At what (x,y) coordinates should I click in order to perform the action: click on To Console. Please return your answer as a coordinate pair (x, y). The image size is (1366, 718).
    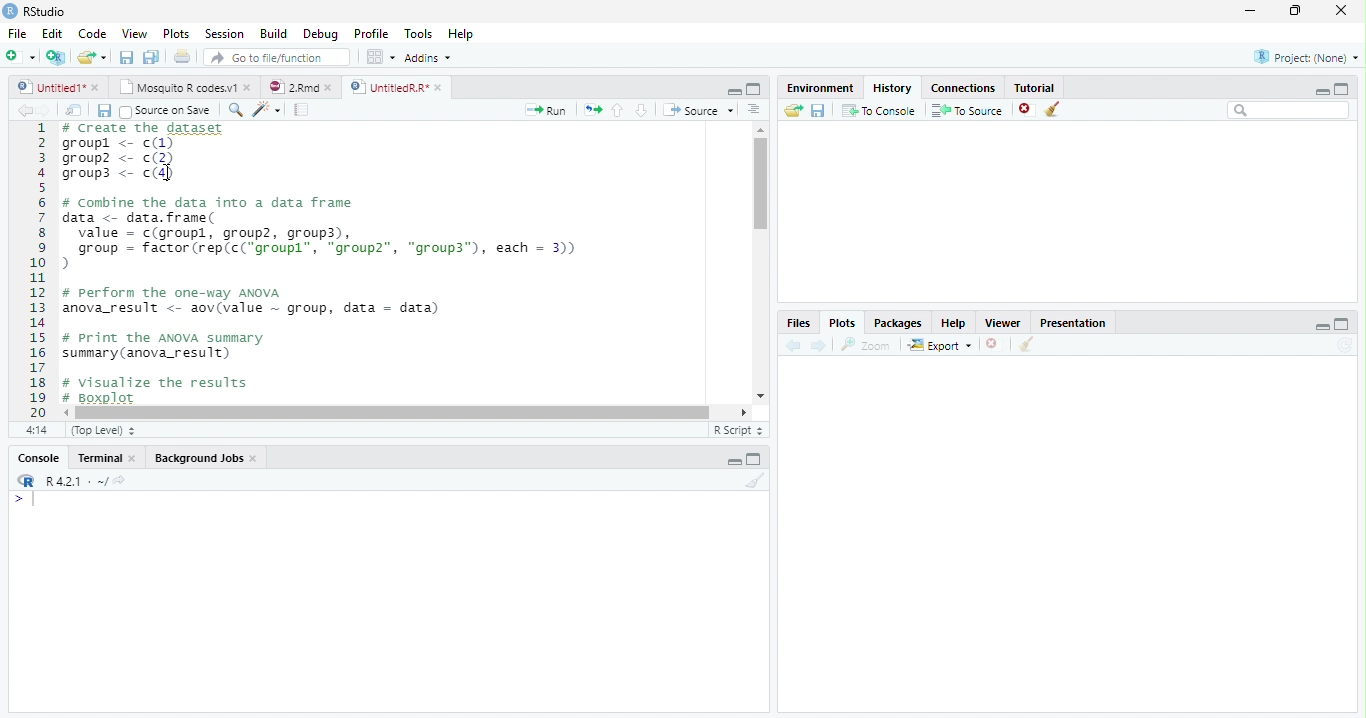
    Looking at the image, I should click on (879, 110).